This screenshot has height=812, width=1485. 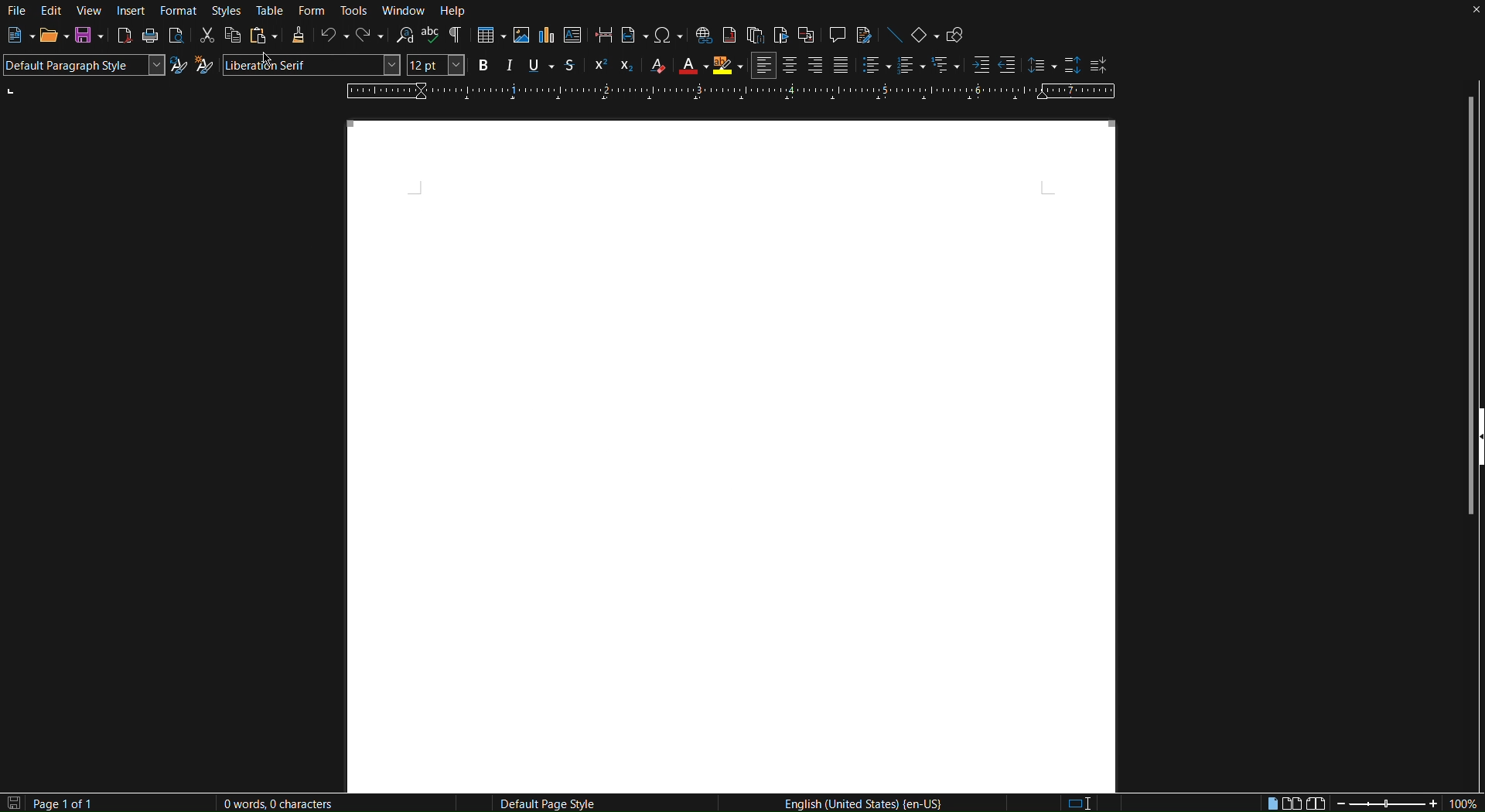 I want to click on Ruler, so click(x=731, y=90).